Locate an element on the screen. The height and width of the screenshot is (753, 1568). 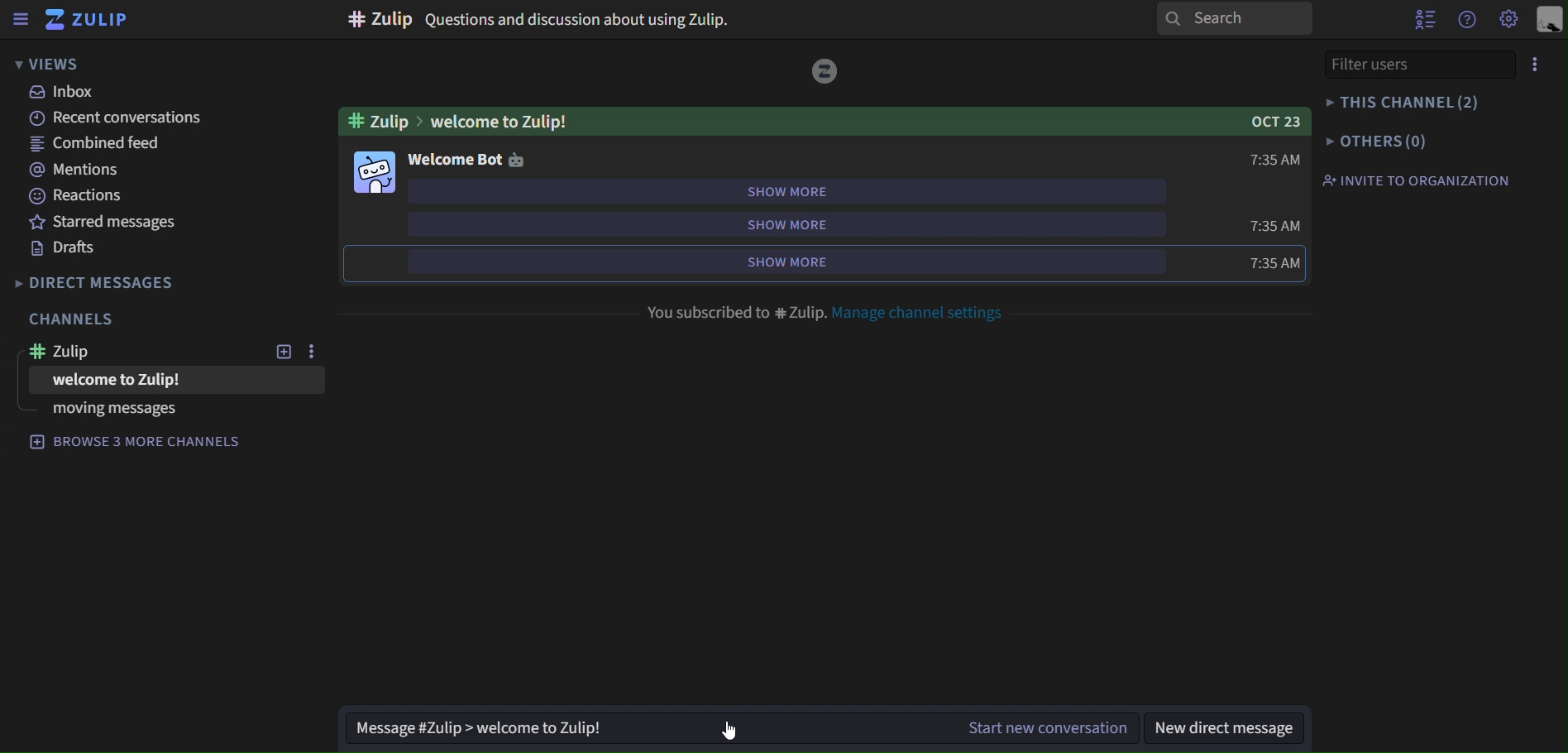
moving messages is located at coordinates (112, 410).